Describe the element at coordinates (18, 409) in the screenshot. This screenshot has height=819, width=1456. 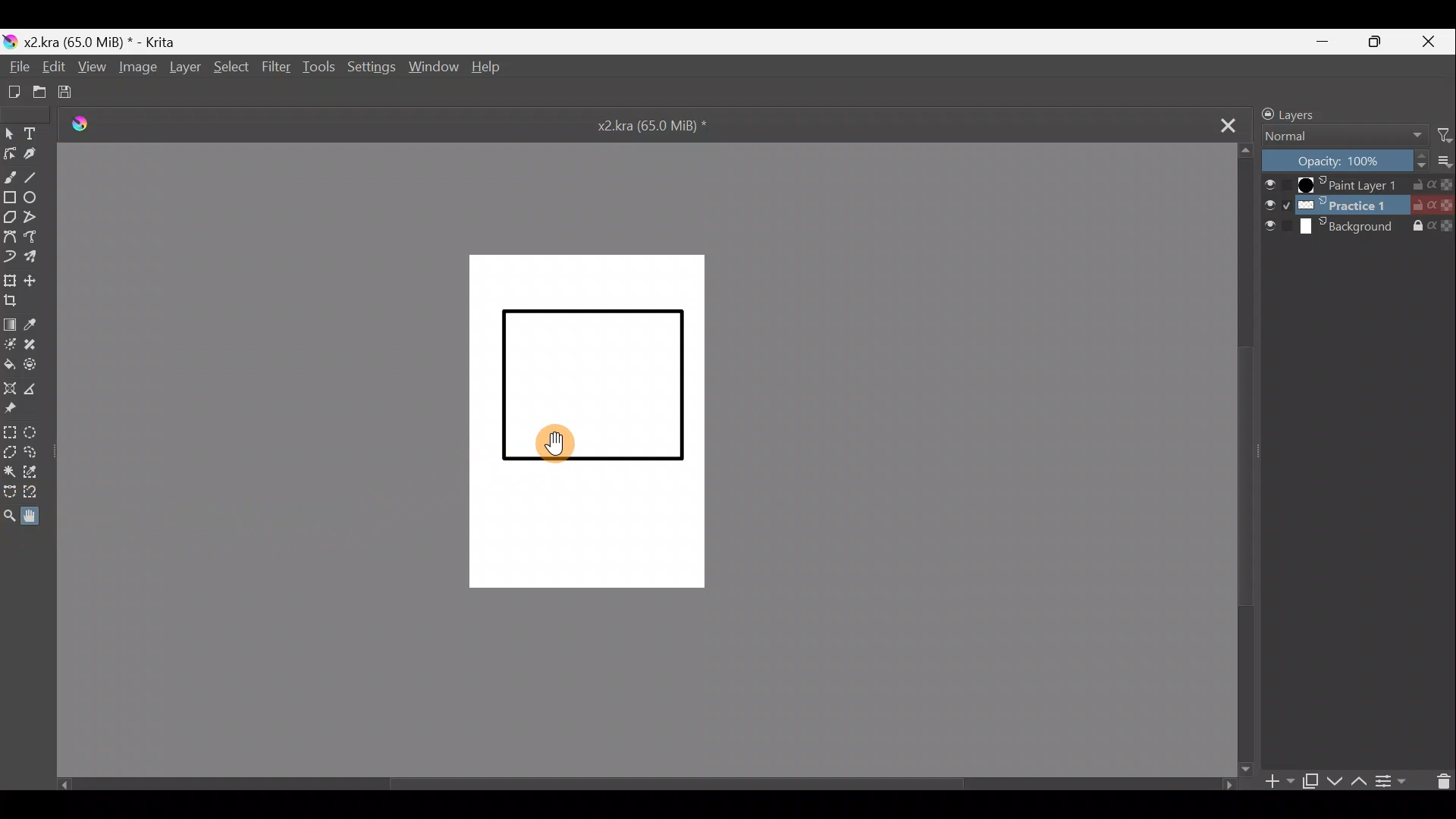
I see `Reference images tool` at that location.